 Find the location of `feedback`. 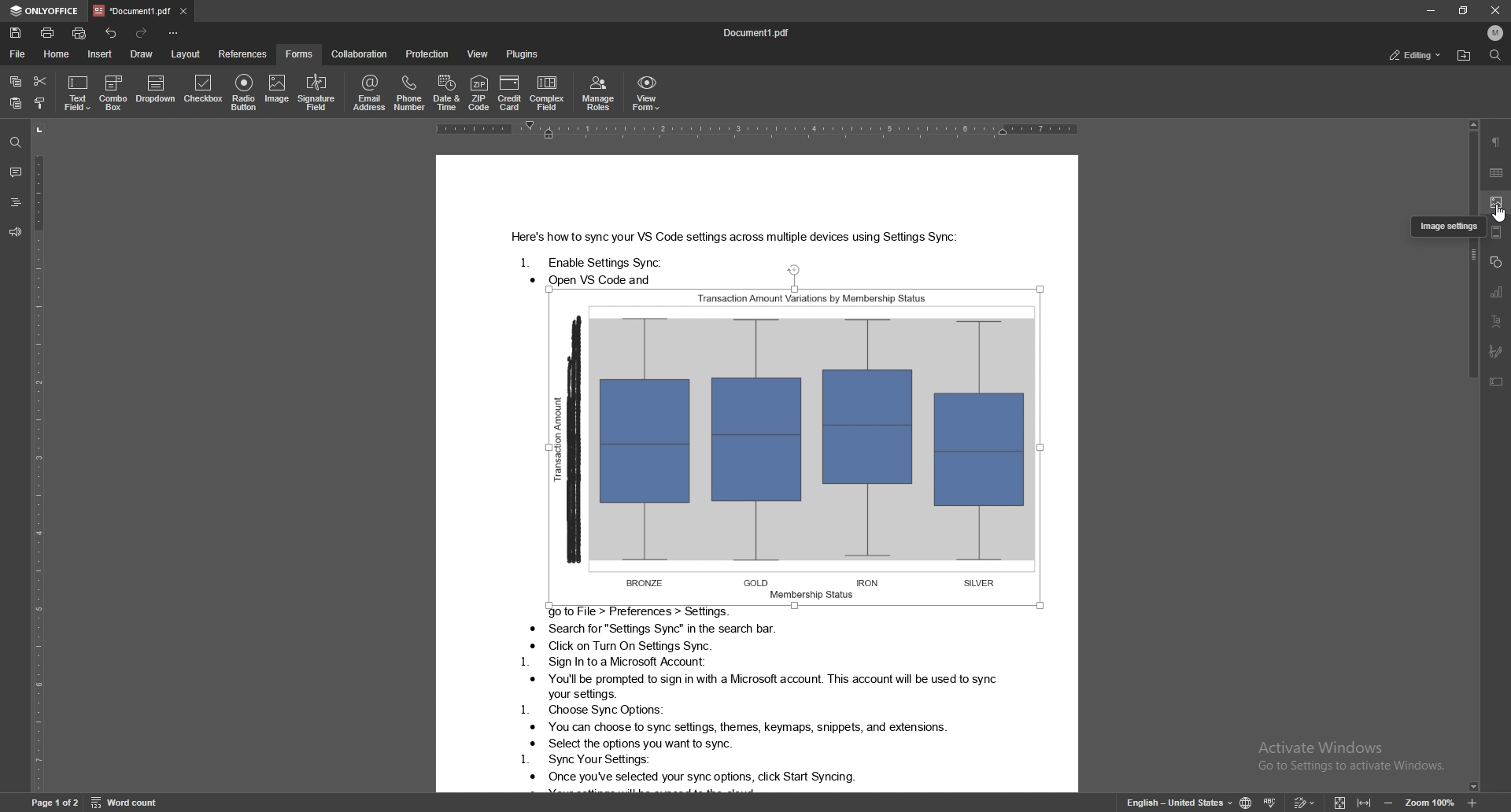

feedback is located at coordinates (13, 231).